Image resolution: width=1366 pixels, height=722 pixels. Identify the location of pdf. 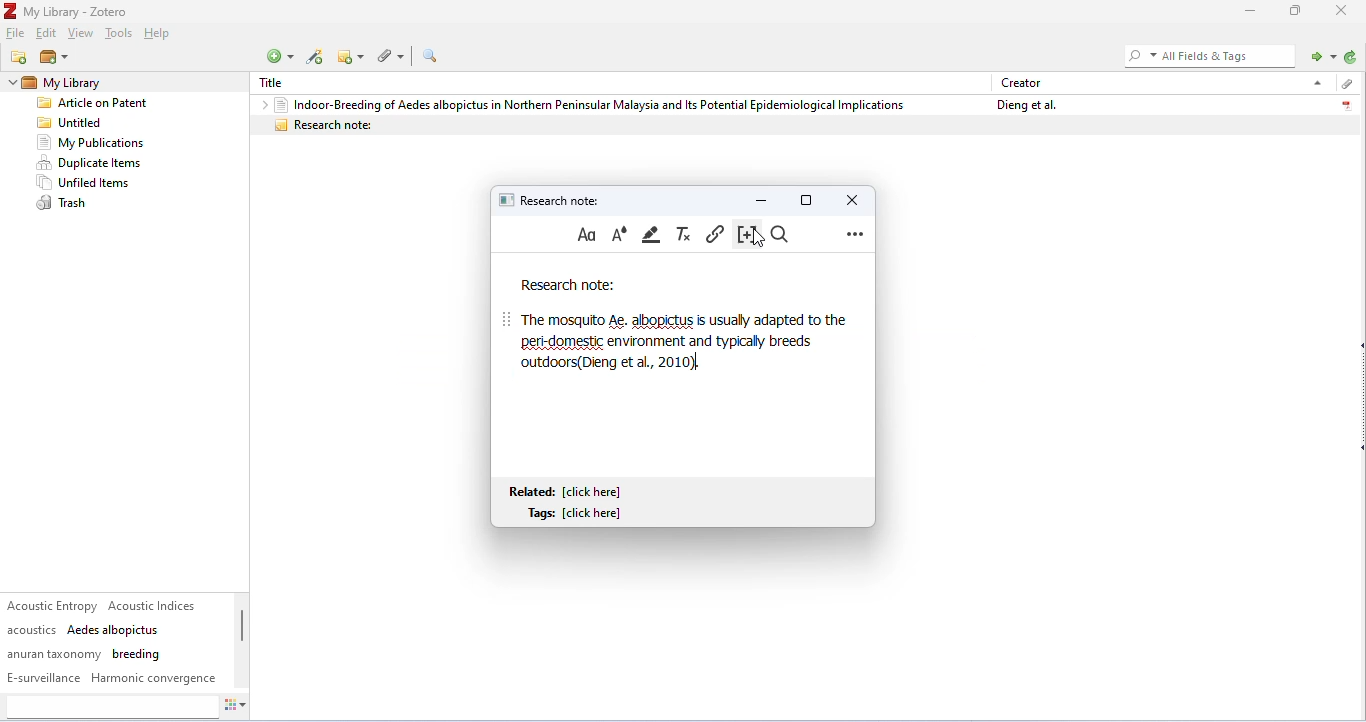
(1346, 103).